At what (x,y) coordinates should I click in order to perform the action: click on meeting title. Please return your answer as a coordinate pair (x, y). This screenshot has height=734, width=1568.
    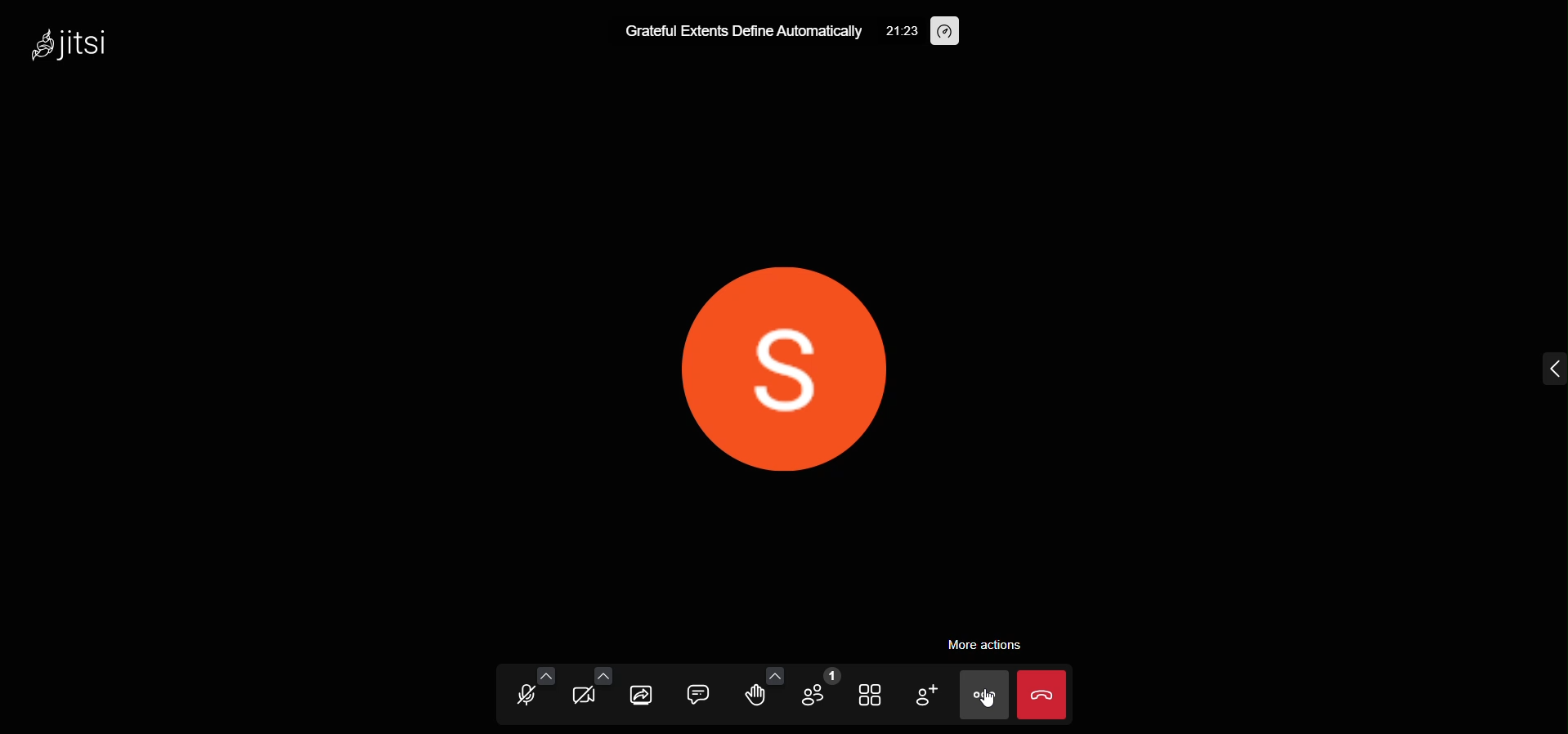
    Looking at the image, I should click on (741, 31).